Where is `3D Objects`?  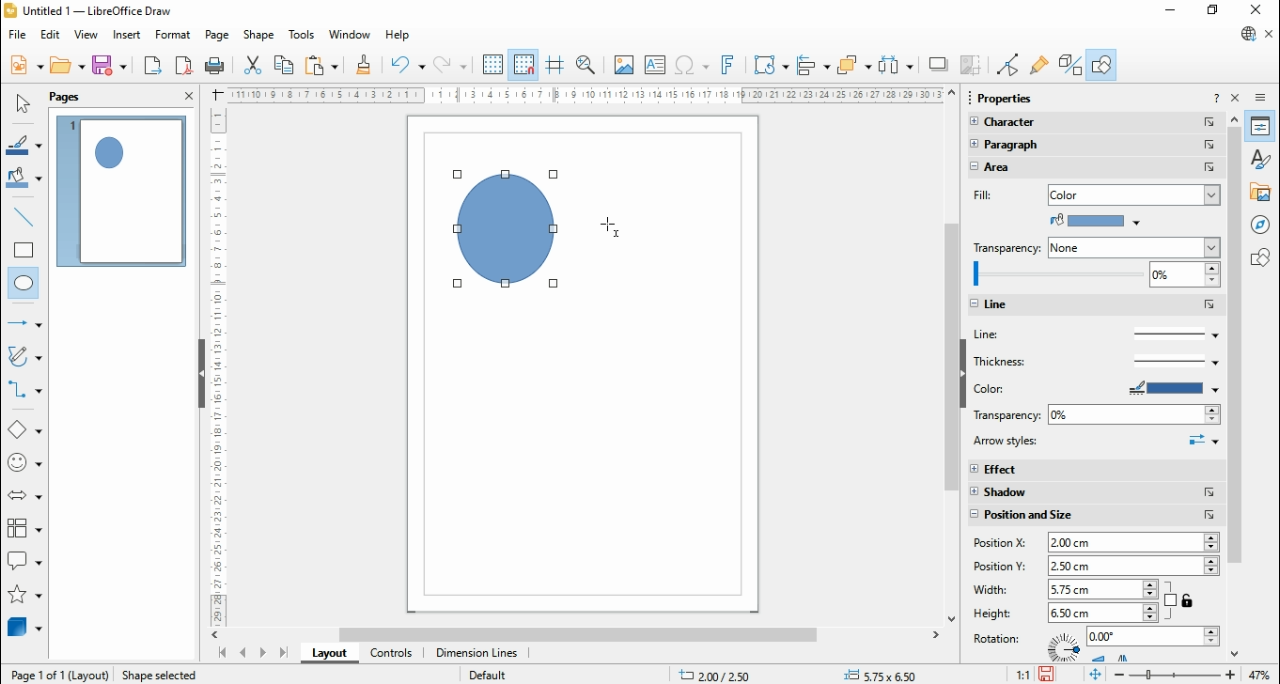 3D Objects is located at coordinates (23, 627).